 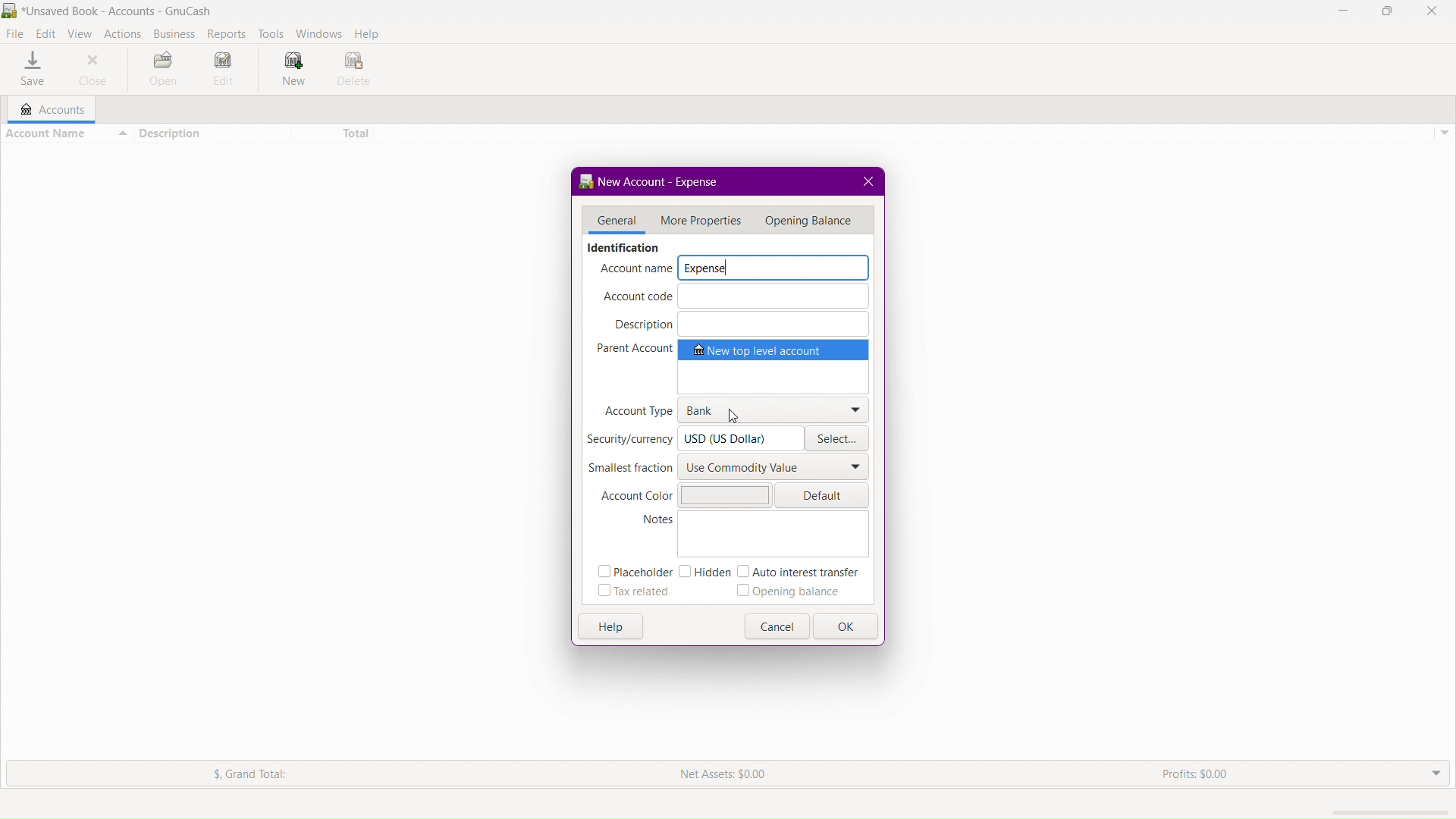 What do you see at coordinates (730, 469) in the screenshot?
I see `Smallest fraction` at bounding box center [730, 469].